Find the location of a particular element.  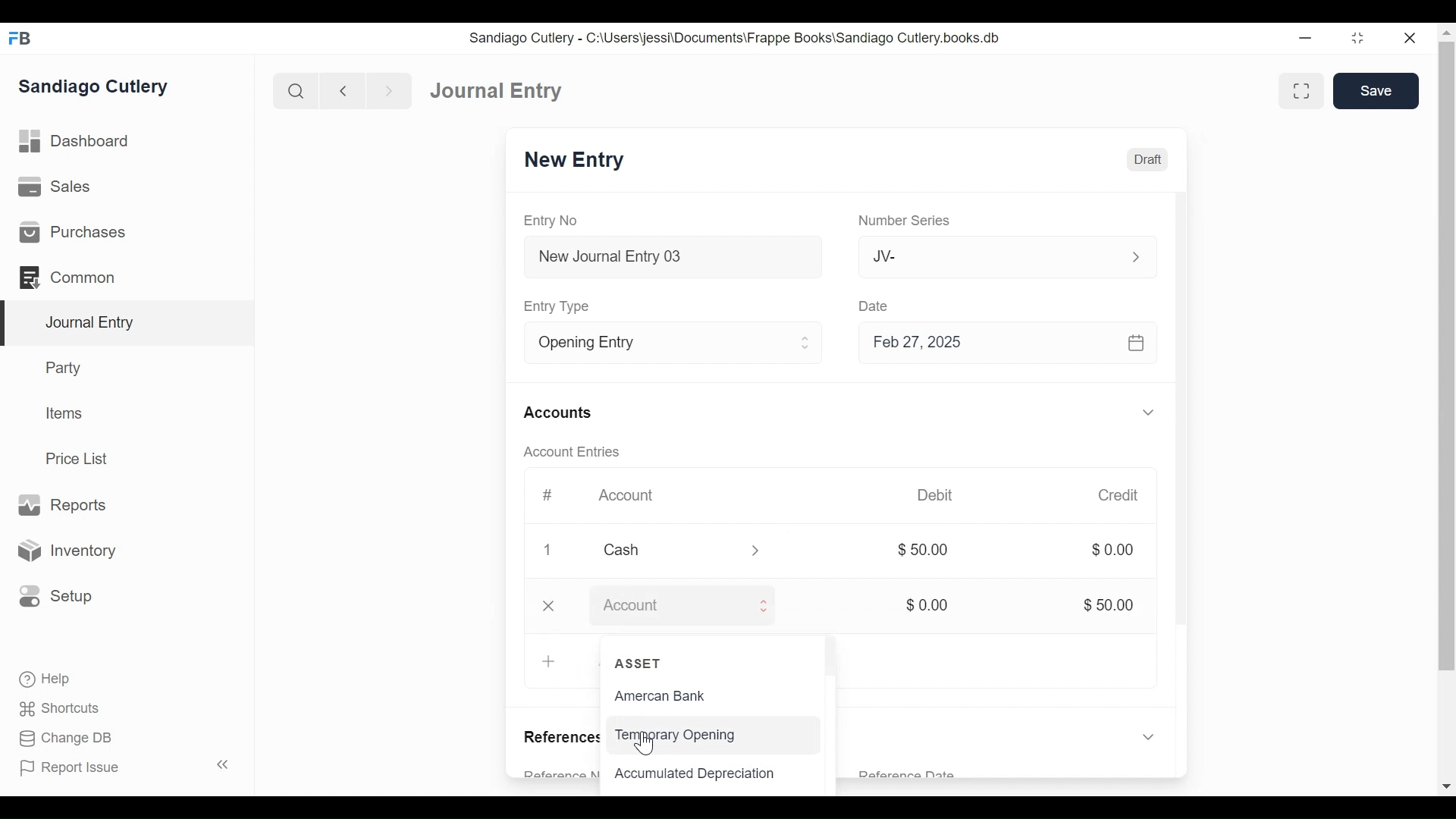

Account is located at coordinates (634, 497).